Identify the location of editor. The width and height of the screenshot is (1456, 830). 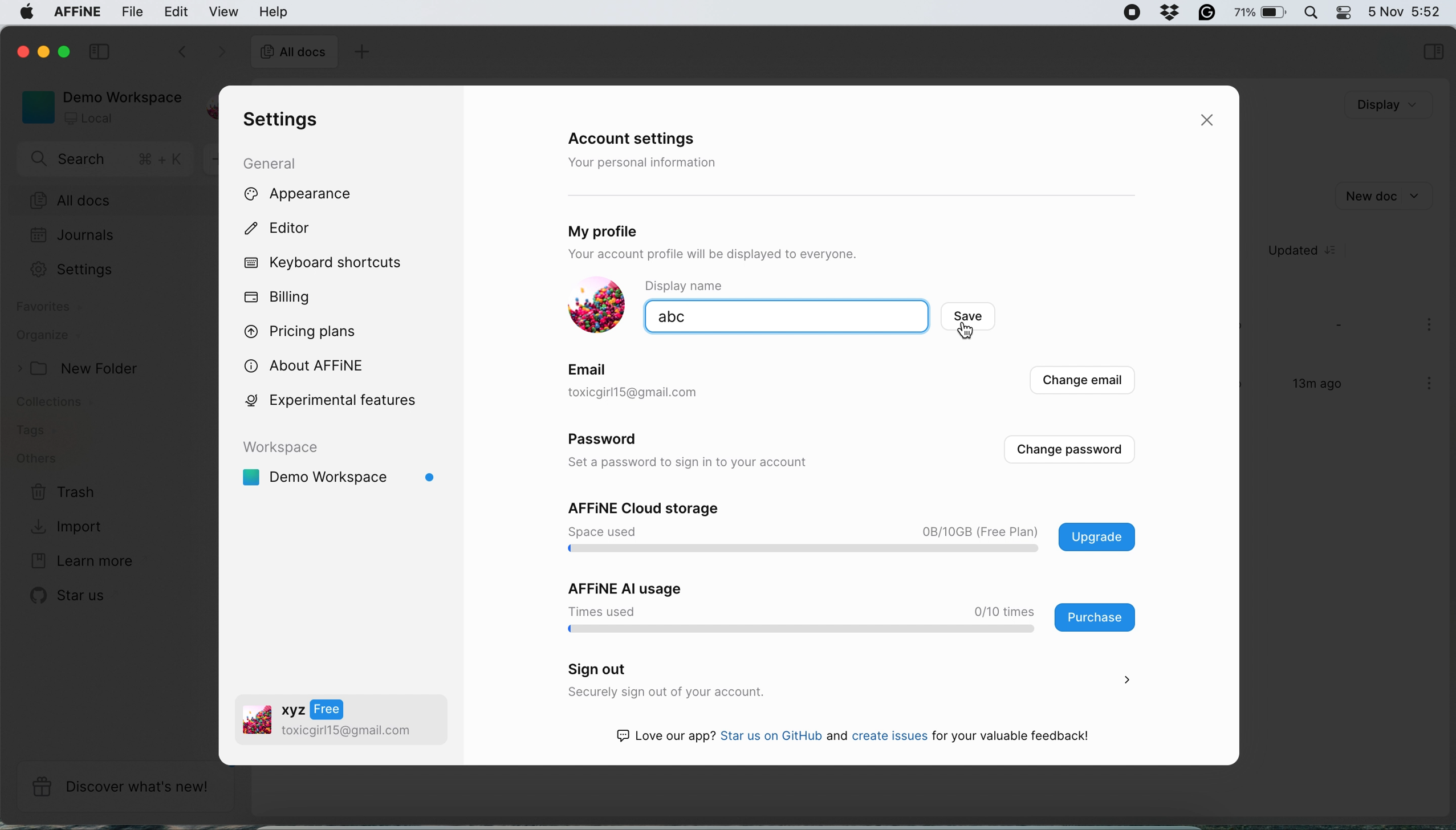
(289, 230).